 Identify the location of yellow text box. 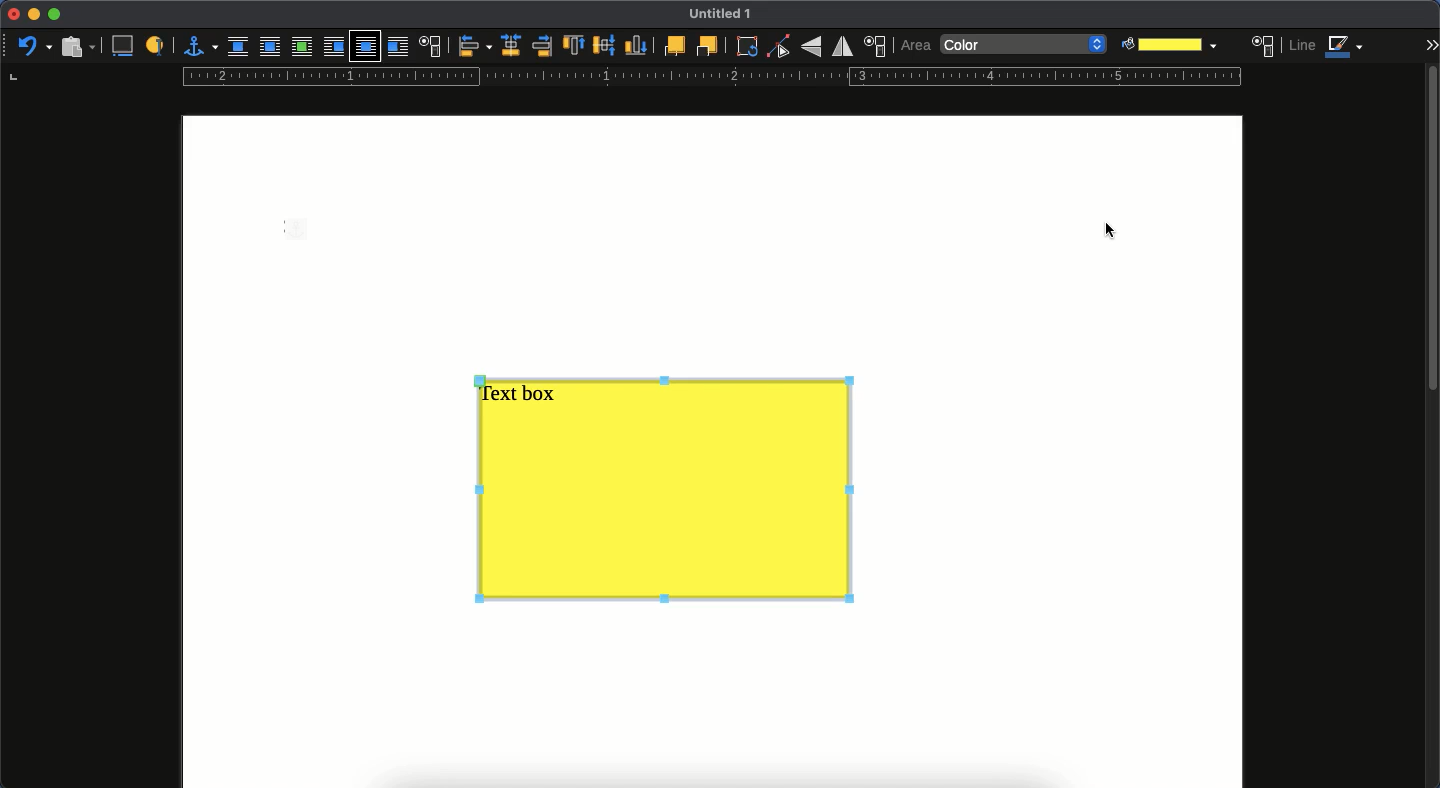
(663, 493).